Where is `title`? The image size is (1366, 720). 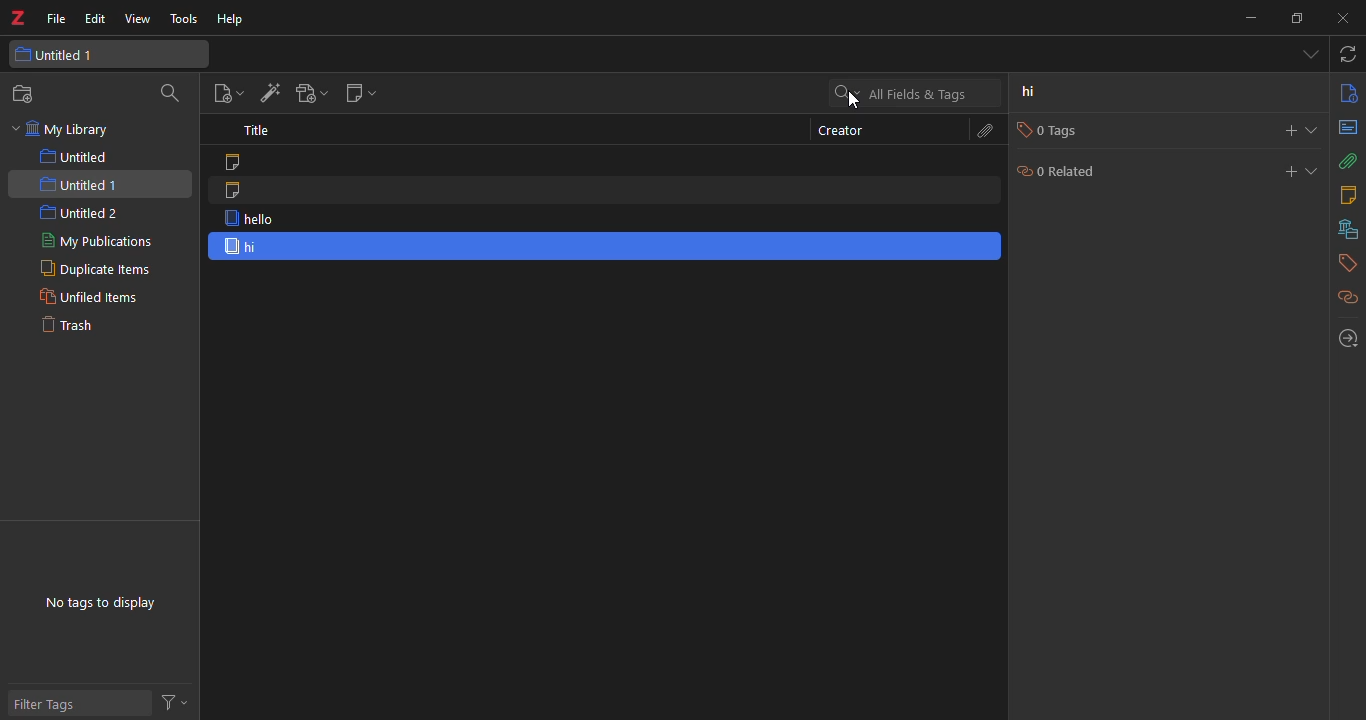
title is located at coordinates (257, 131).